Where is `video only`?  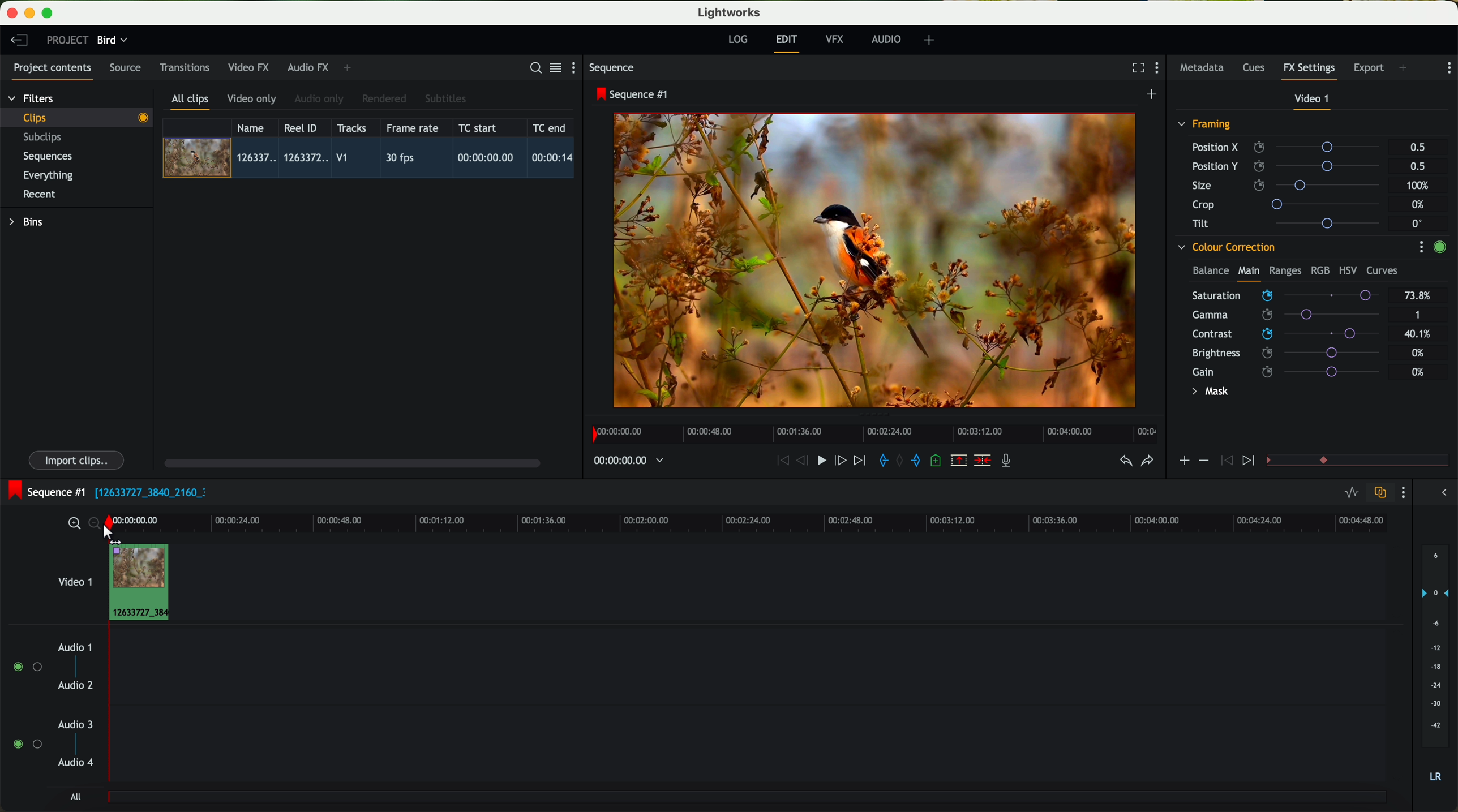
video only is located at coordinates (251, 100).